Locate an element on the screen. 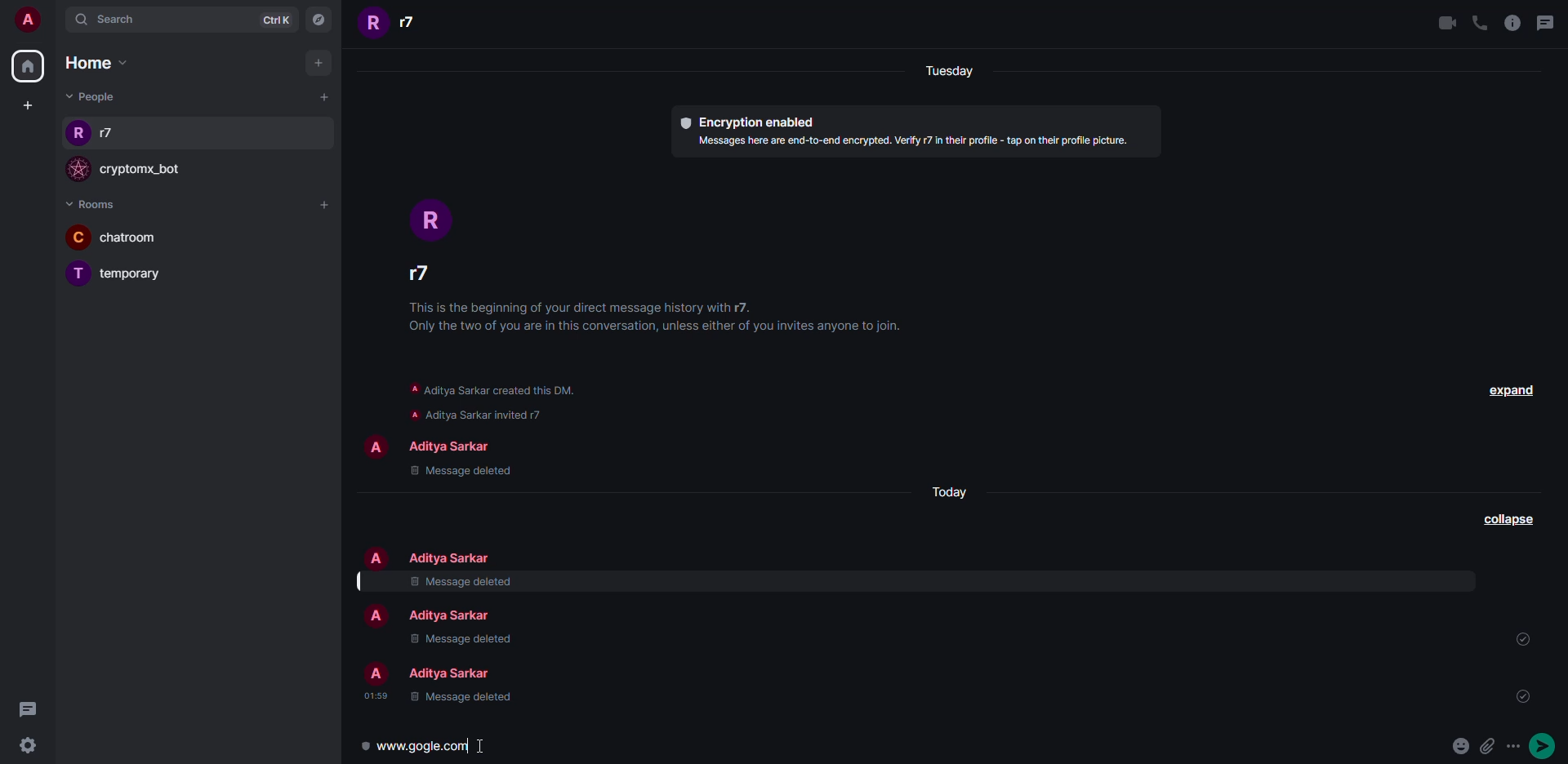 Image resolution: width=1568 pixels, height=764 pixels. room is located at coordinates (137, 275).